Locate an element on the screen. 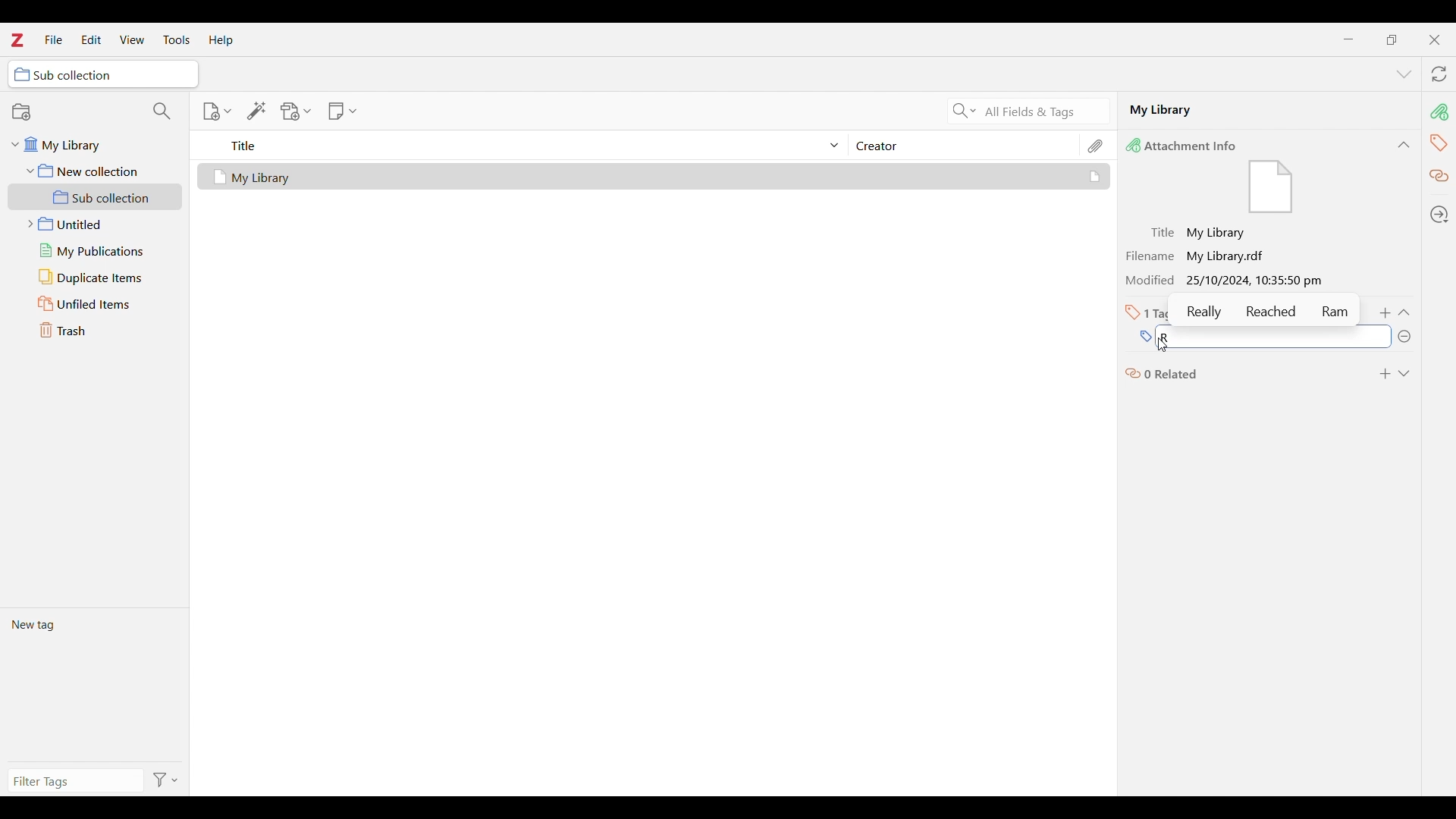  Attachment Info is located at coordinates (1185, 145).